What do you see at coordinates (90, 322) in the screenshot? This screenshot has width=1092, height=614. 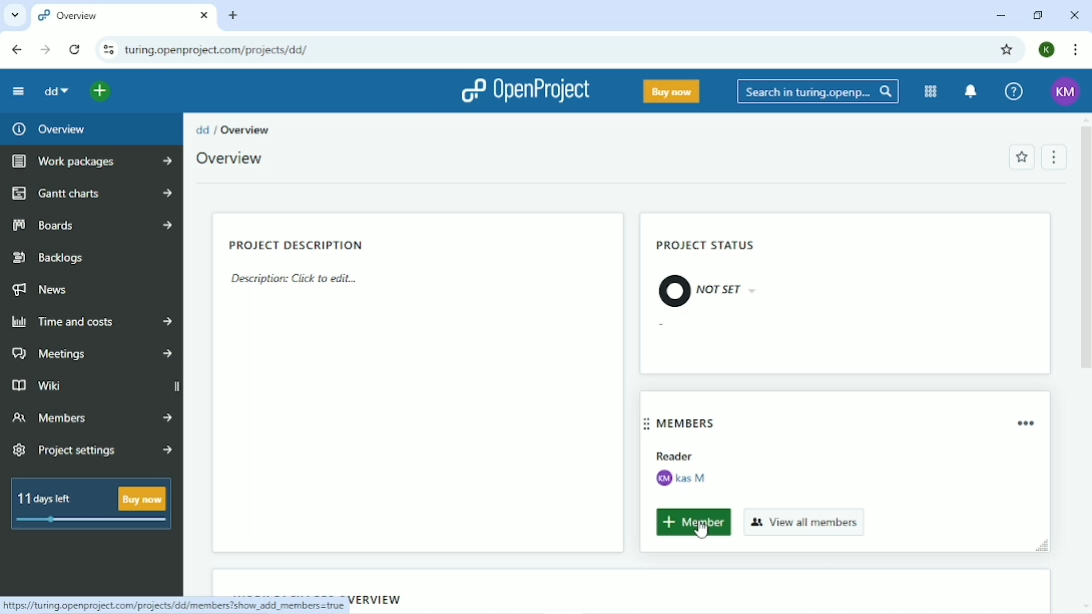 I see `Time and costs` at bounding box center [90, 322].